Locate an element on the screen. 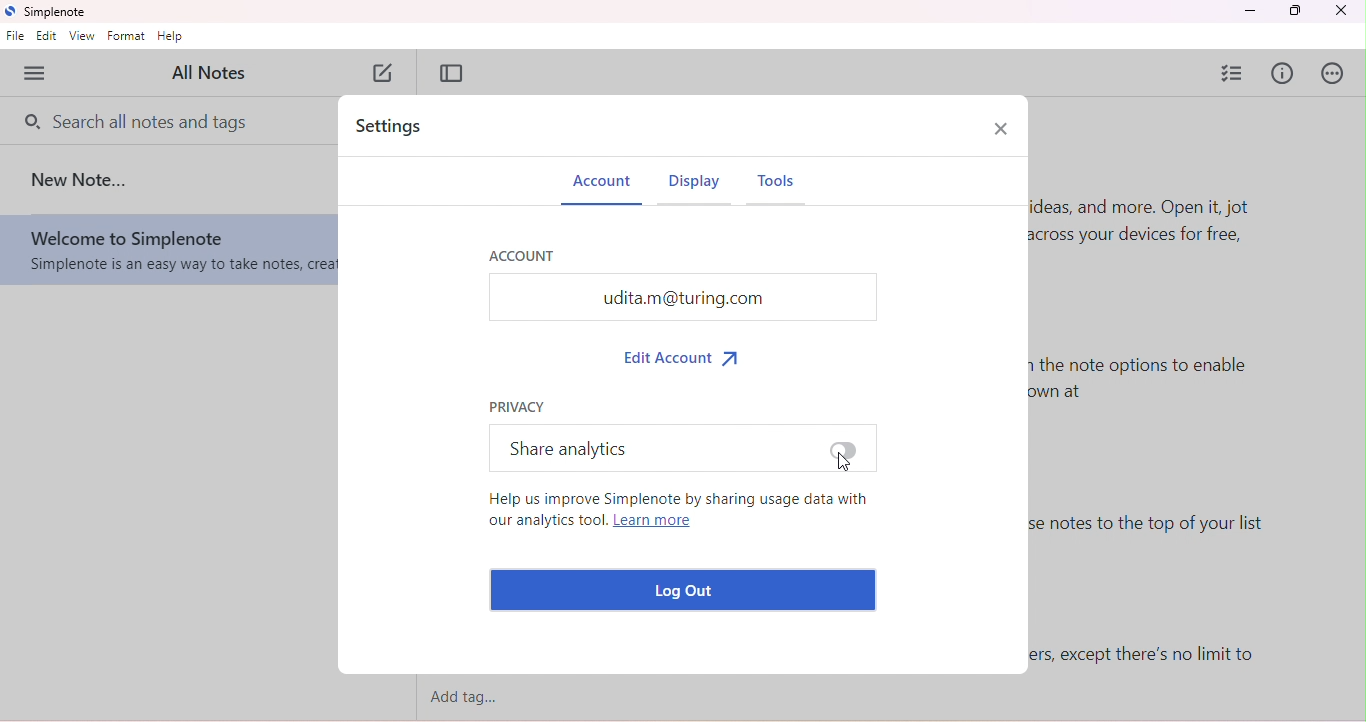 The image size is (1366, 722). new note is located at coordinates (82, 179).